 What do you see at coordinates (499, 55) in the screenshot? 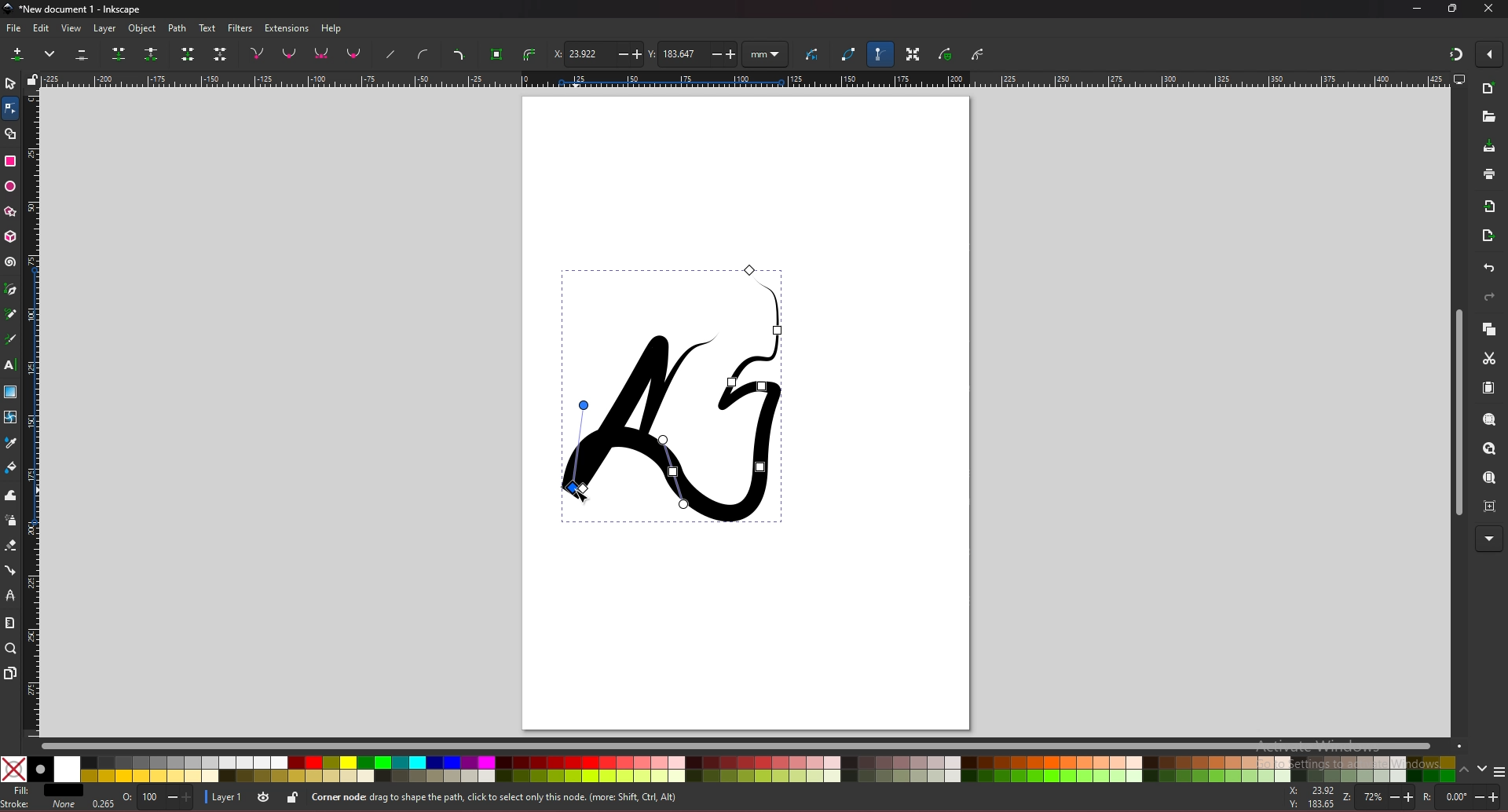
I see `object to path` at bounding box center [499, 55].